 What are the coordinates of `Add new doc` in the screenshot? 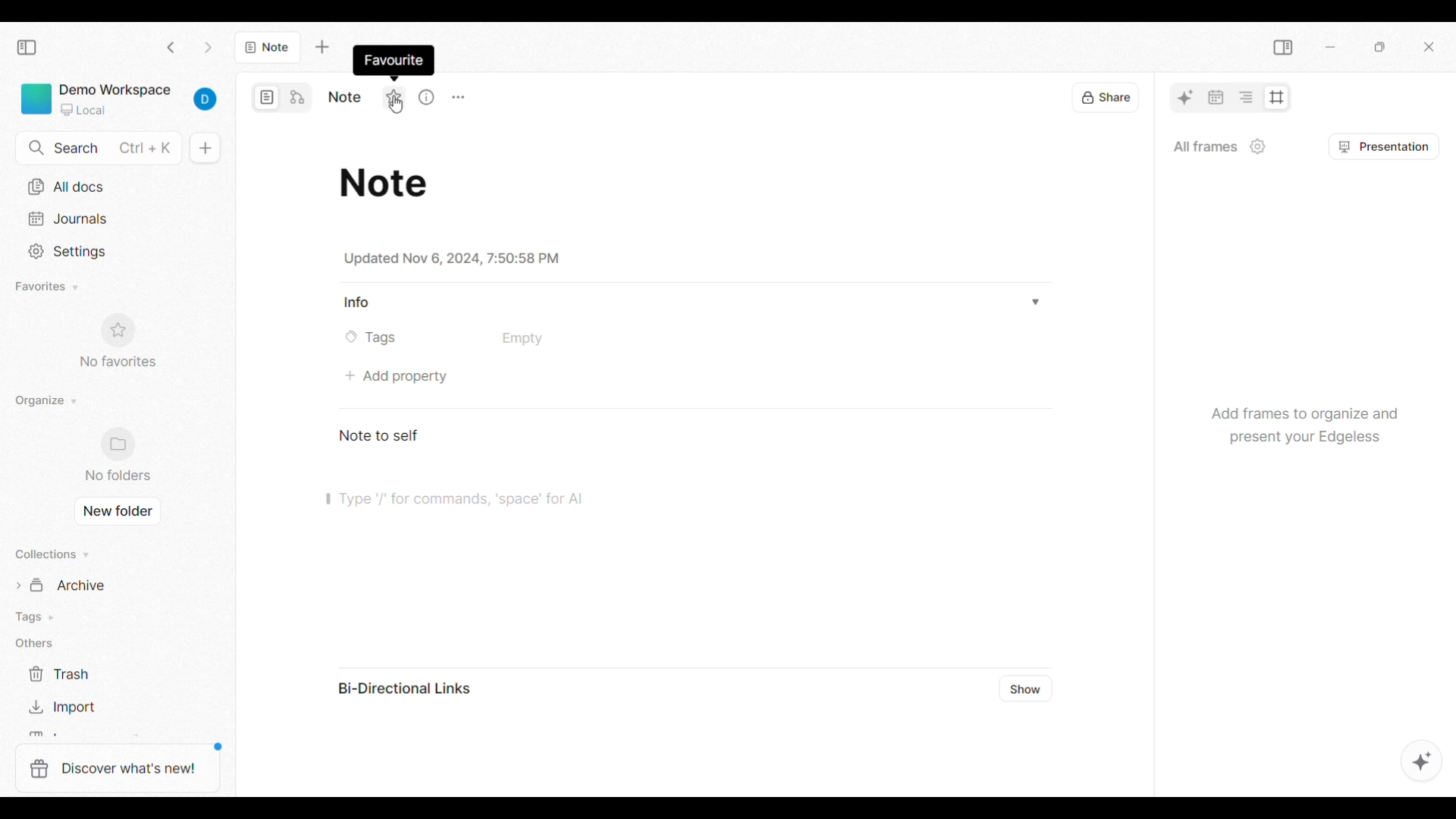 It's located at (205, 148).